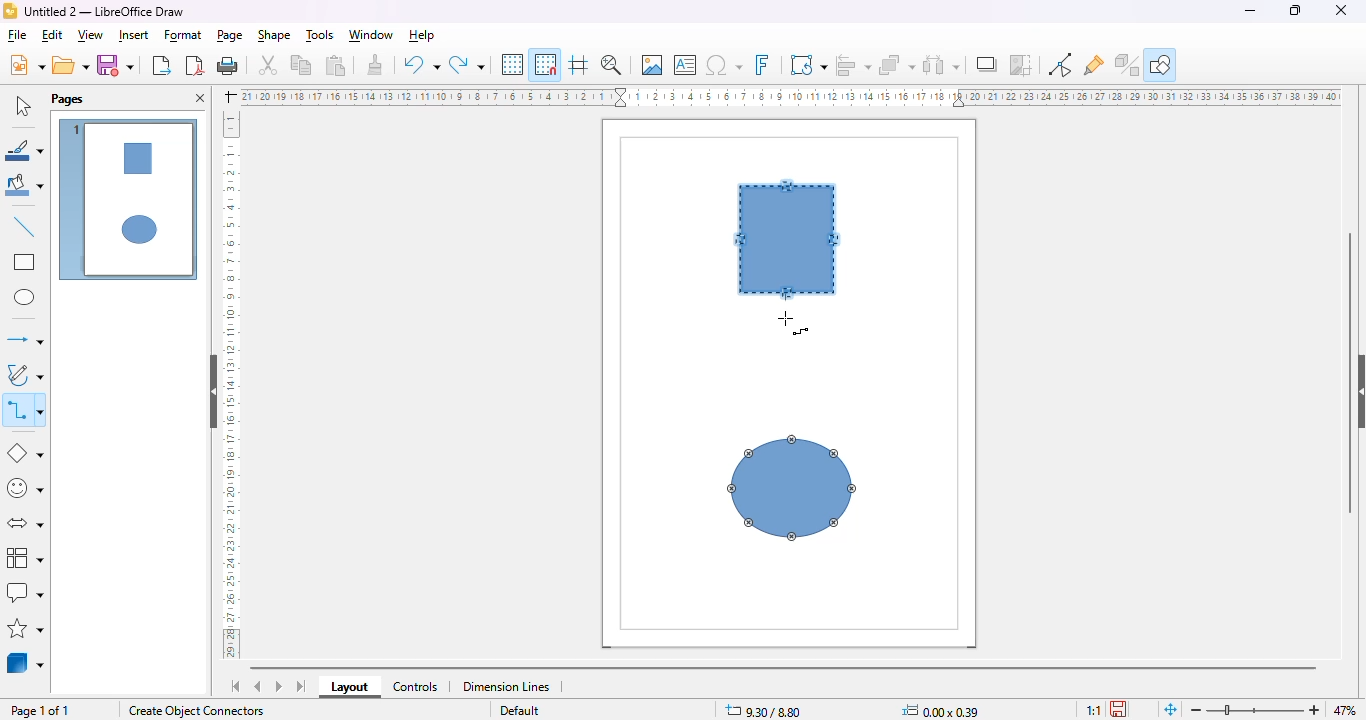 This screenshot has width=1366, height=720. I want to click on the document has been modified, so click(1120, 708).